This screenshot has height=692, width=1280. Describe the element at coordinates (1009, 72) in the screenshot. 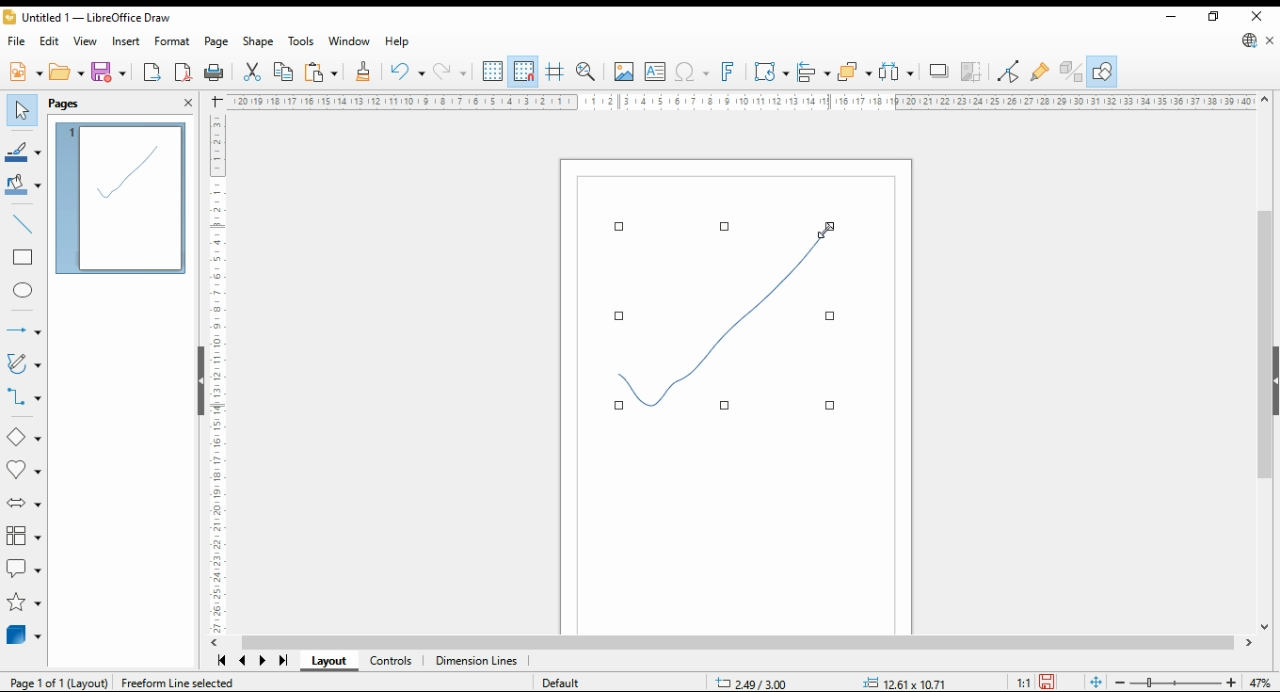

I see `toggle endpoint edit mode` at that location.